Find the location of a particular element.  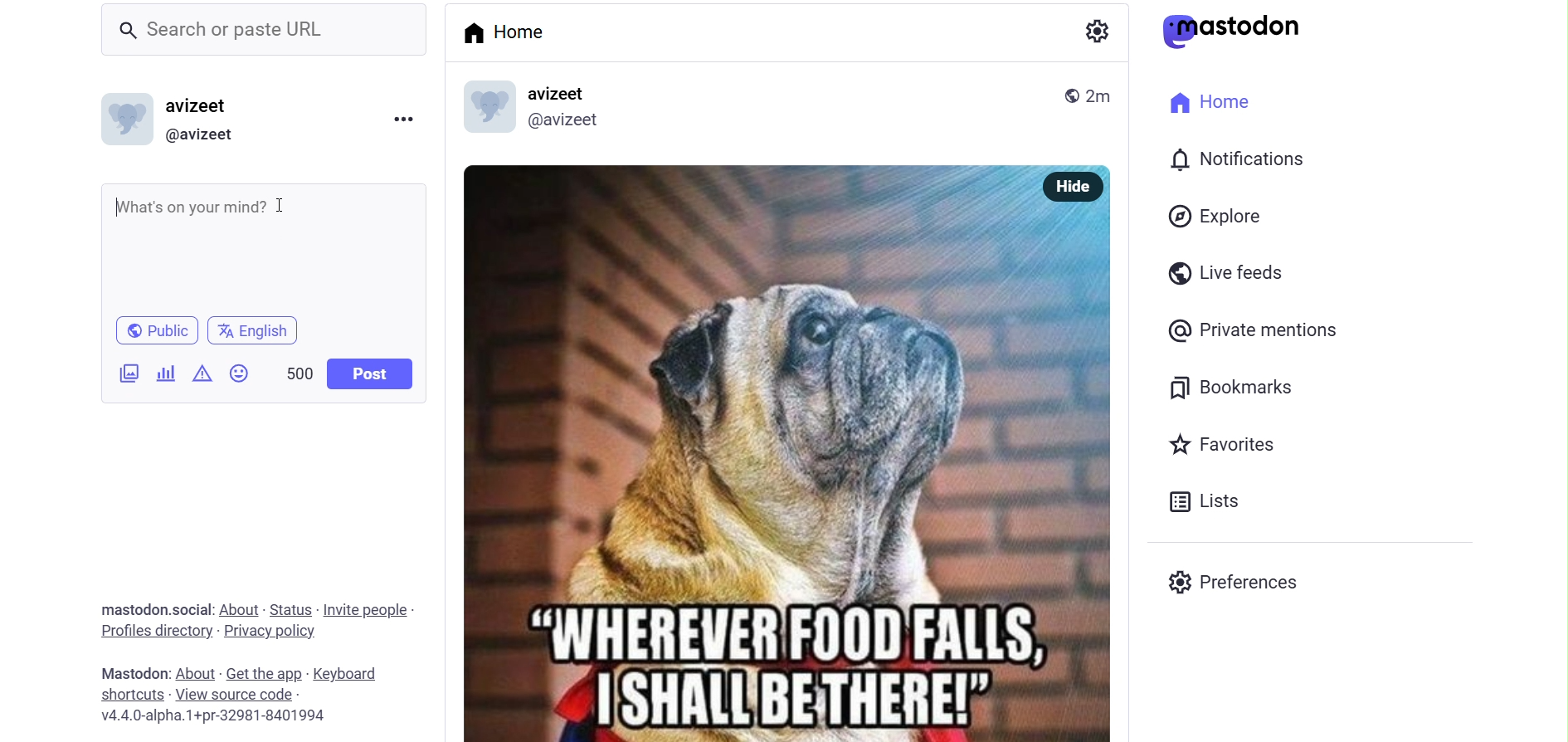

@avizeet is located at coordinates (206, 135).